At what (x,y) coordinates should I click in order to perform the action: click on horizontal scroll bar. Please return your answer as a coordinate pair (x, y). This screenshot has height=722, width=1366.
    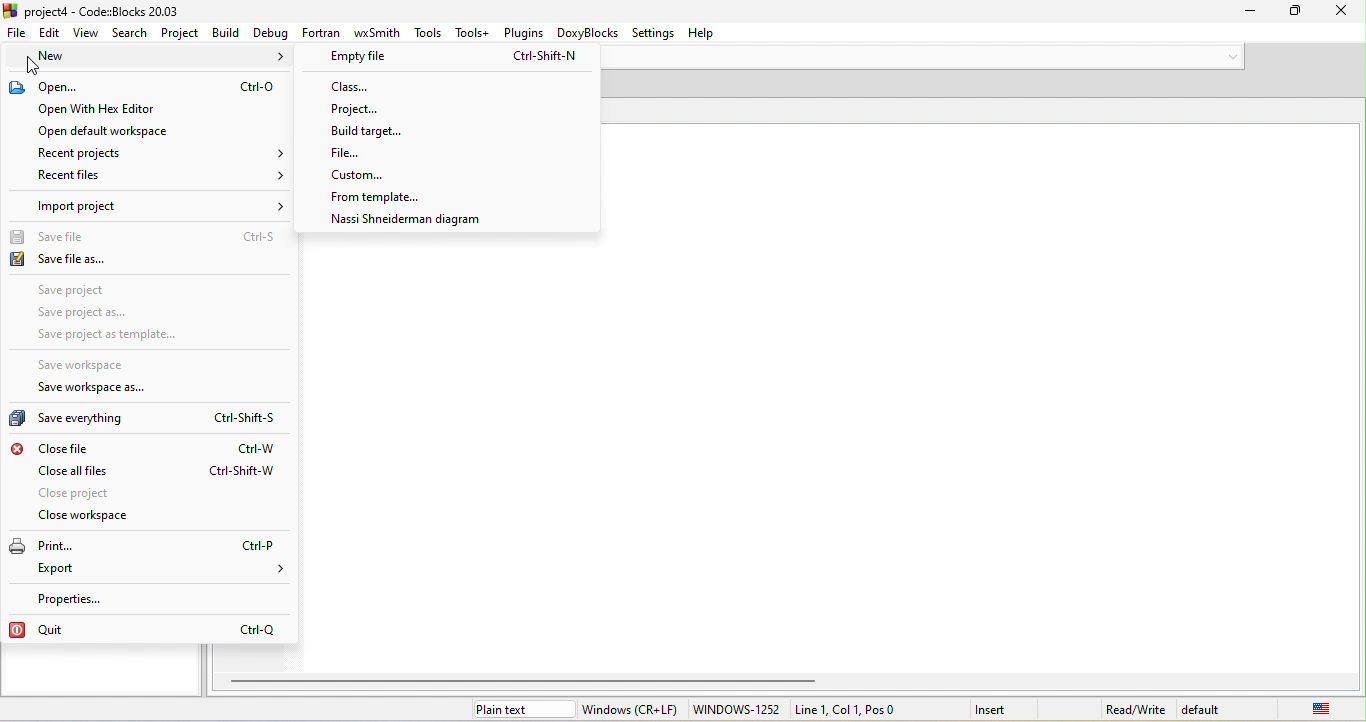
    Looking at the image, I should click on (529, 680).